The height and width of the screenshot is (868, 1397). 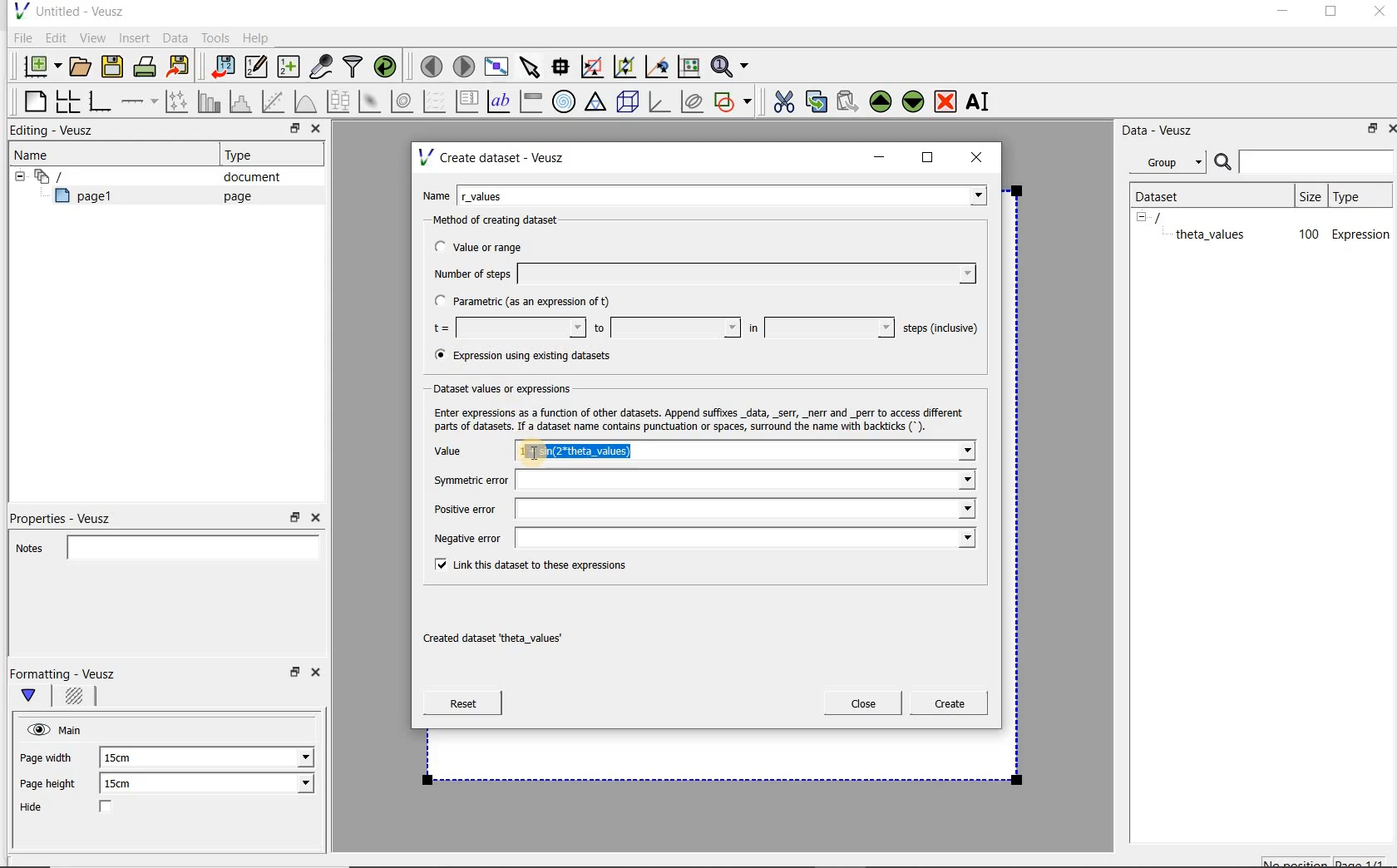 What do you see at coordinates (176, 37) in the screenshot?
I see `Data` at bounding box center [176, 37].